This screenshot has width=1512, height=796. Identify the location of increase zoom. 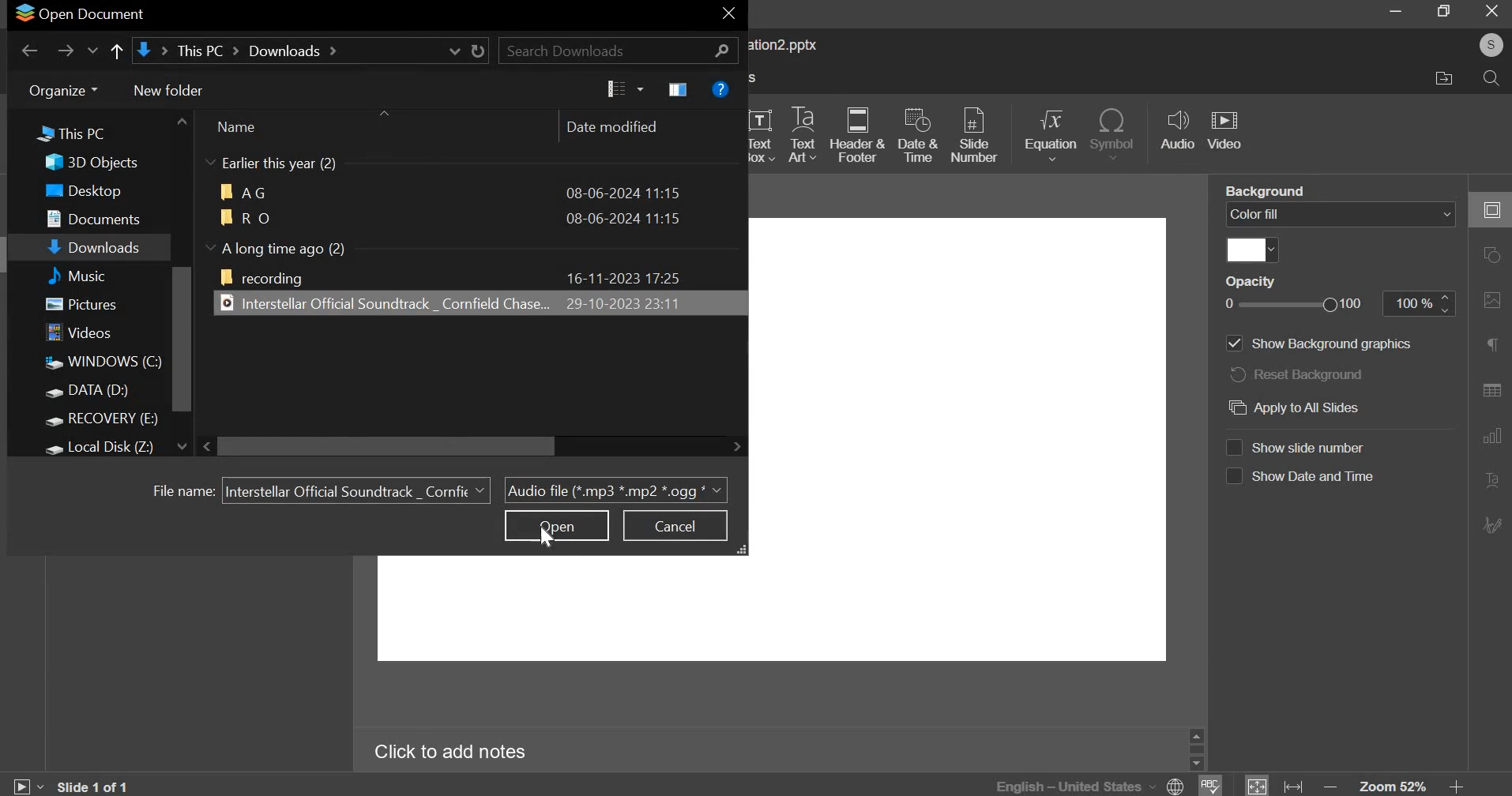
(1457, 784).